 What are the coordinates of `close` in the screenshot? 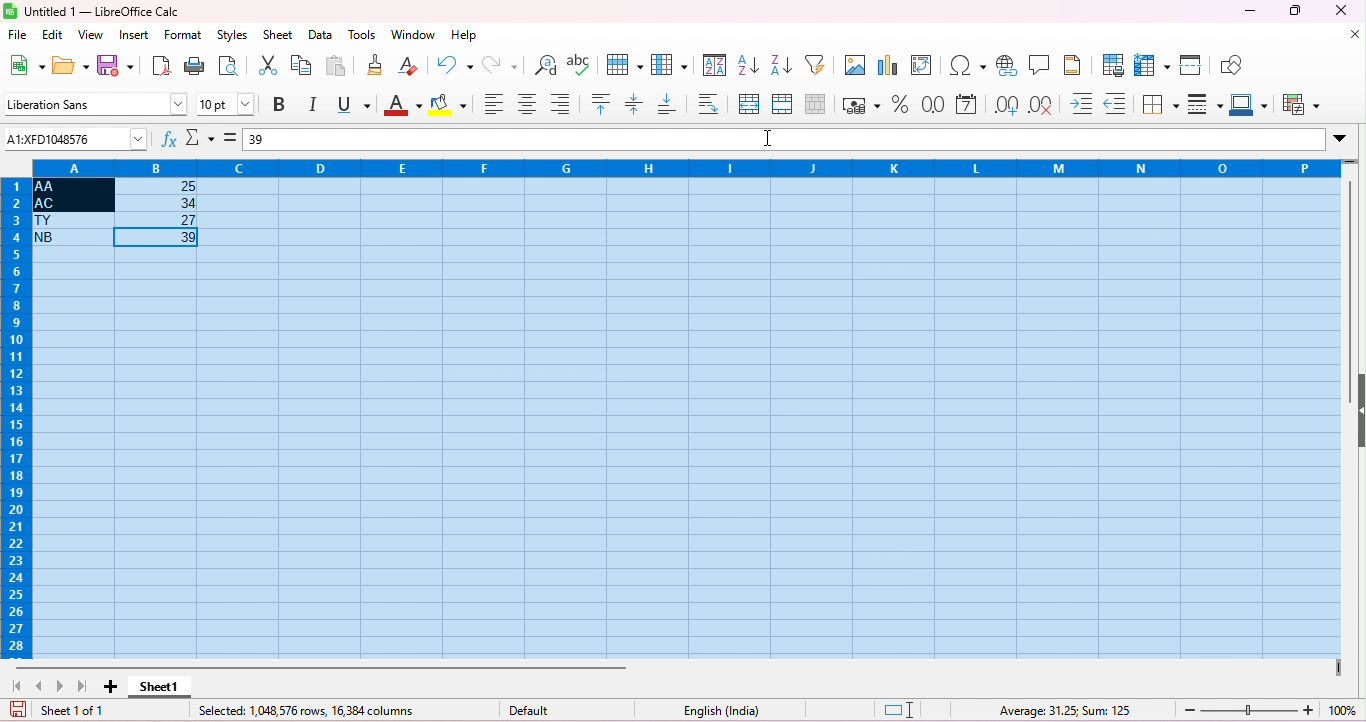 It's located at (1354, 35).